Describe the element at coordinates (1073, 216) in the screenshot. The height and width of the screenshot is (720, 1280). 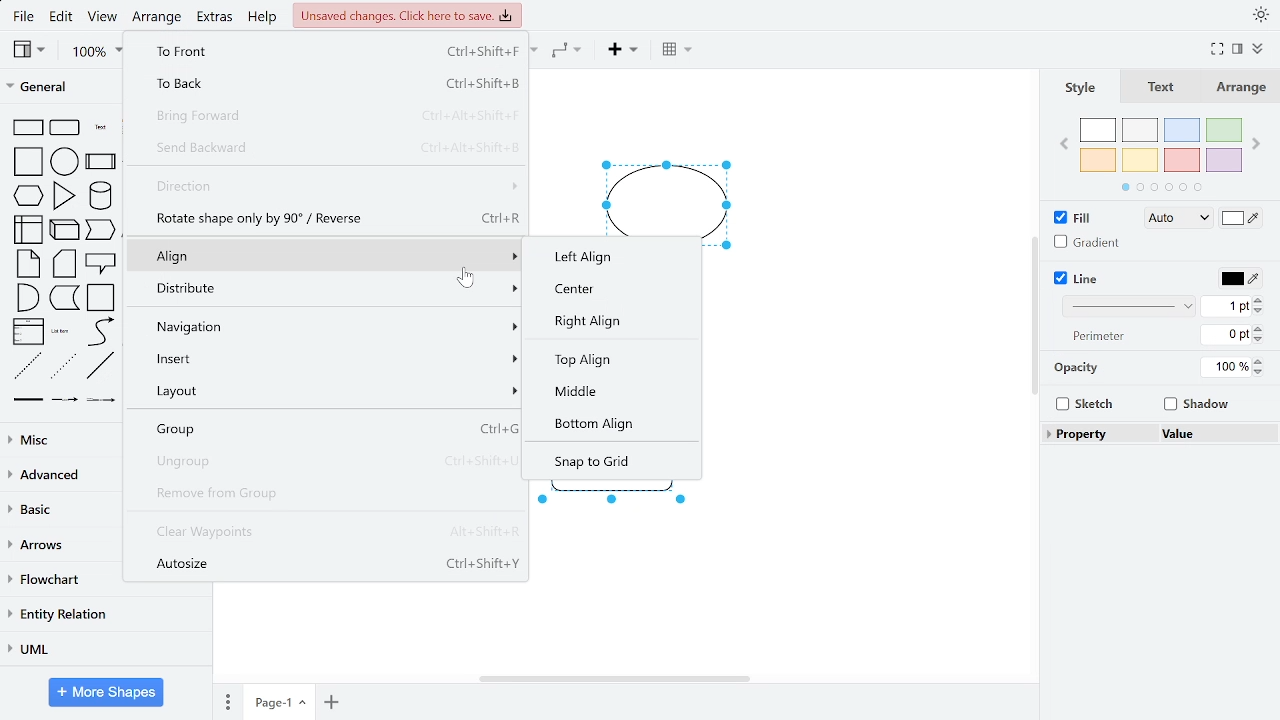
I see `Fill` at that location.